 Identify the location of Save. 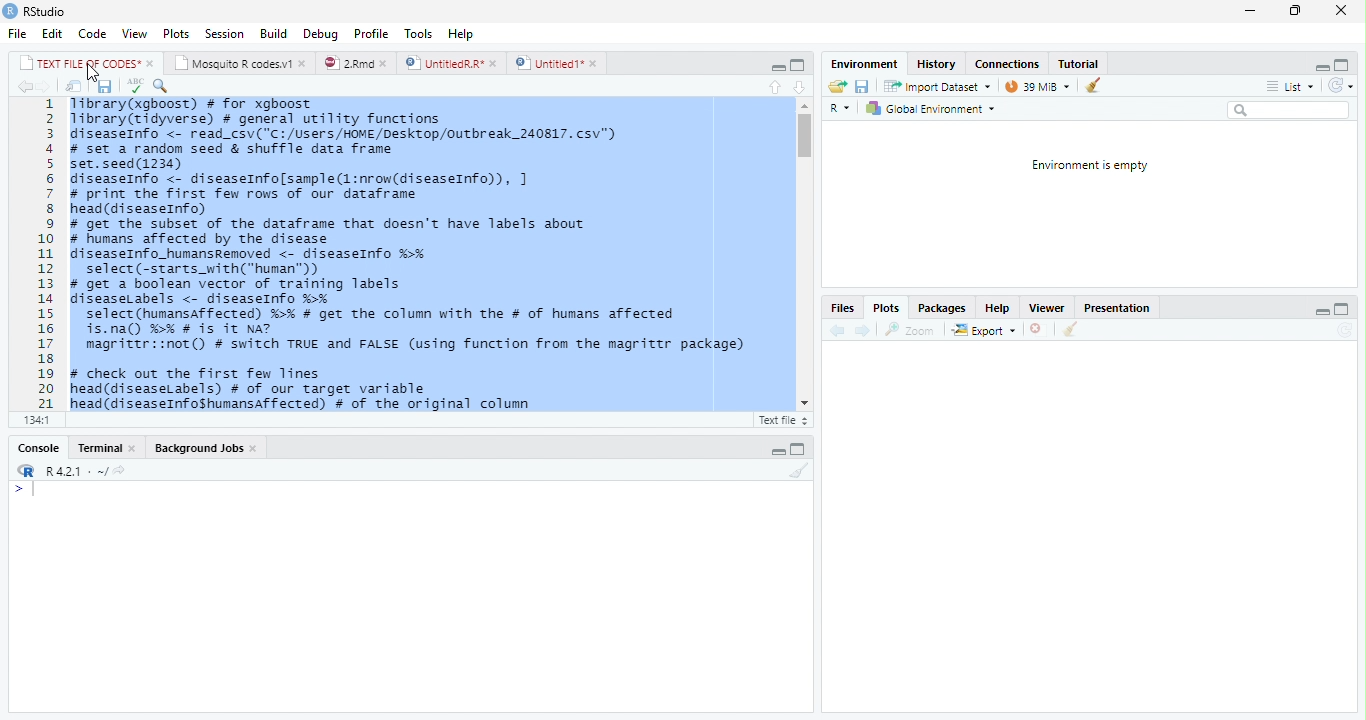
(863, 85).